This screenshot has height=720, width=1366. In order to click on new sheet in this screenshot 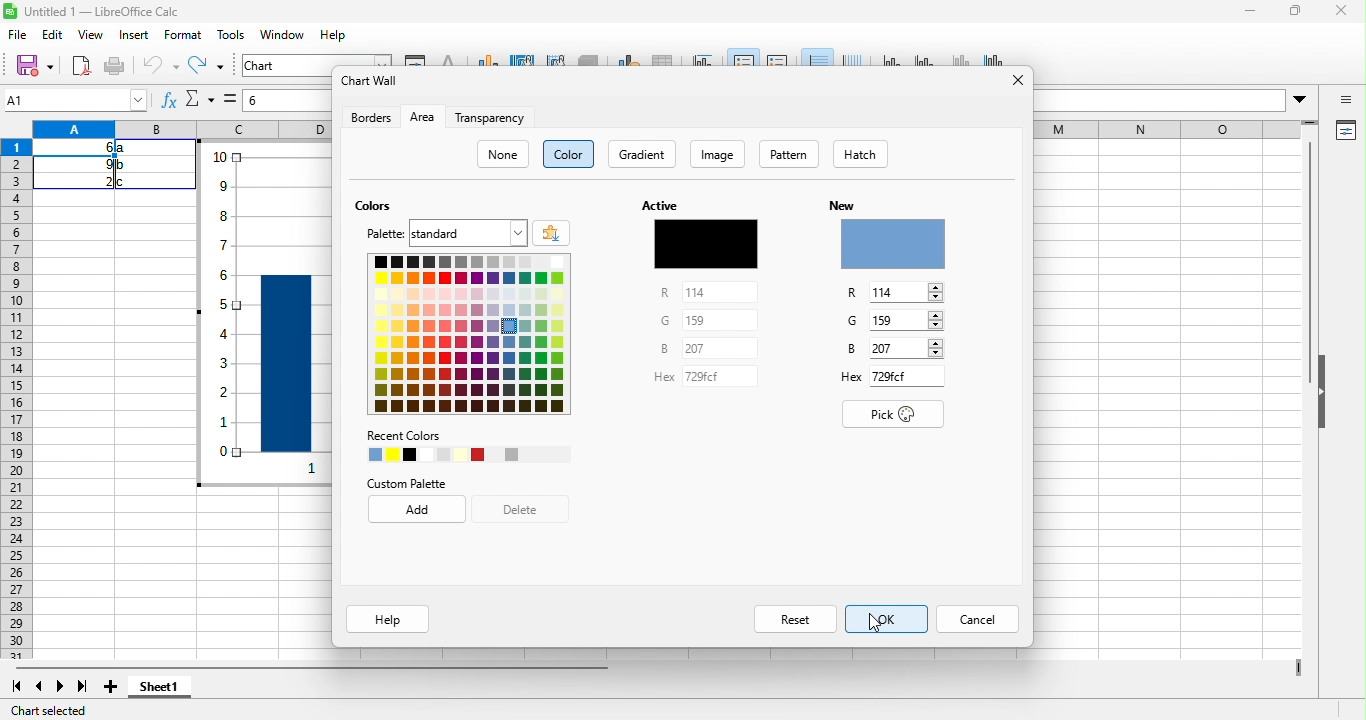, I will do `click(113, 690)`.